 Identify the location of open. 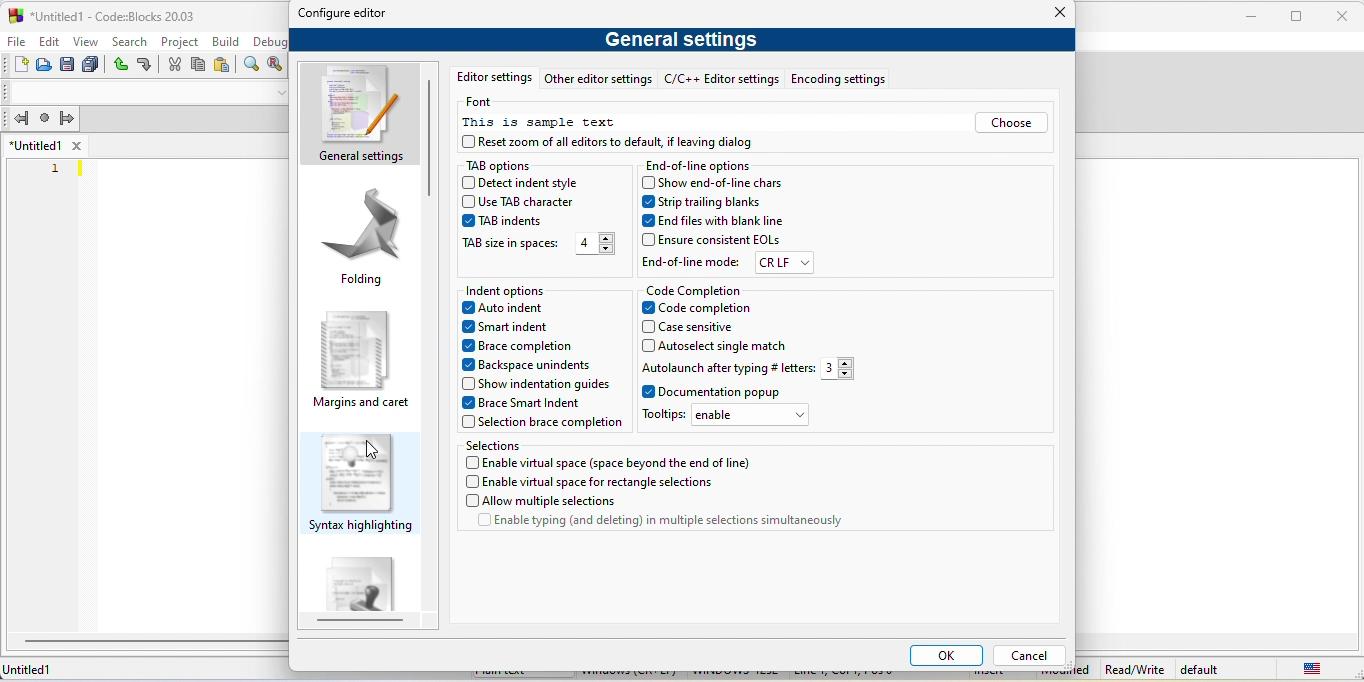
(43, 65).